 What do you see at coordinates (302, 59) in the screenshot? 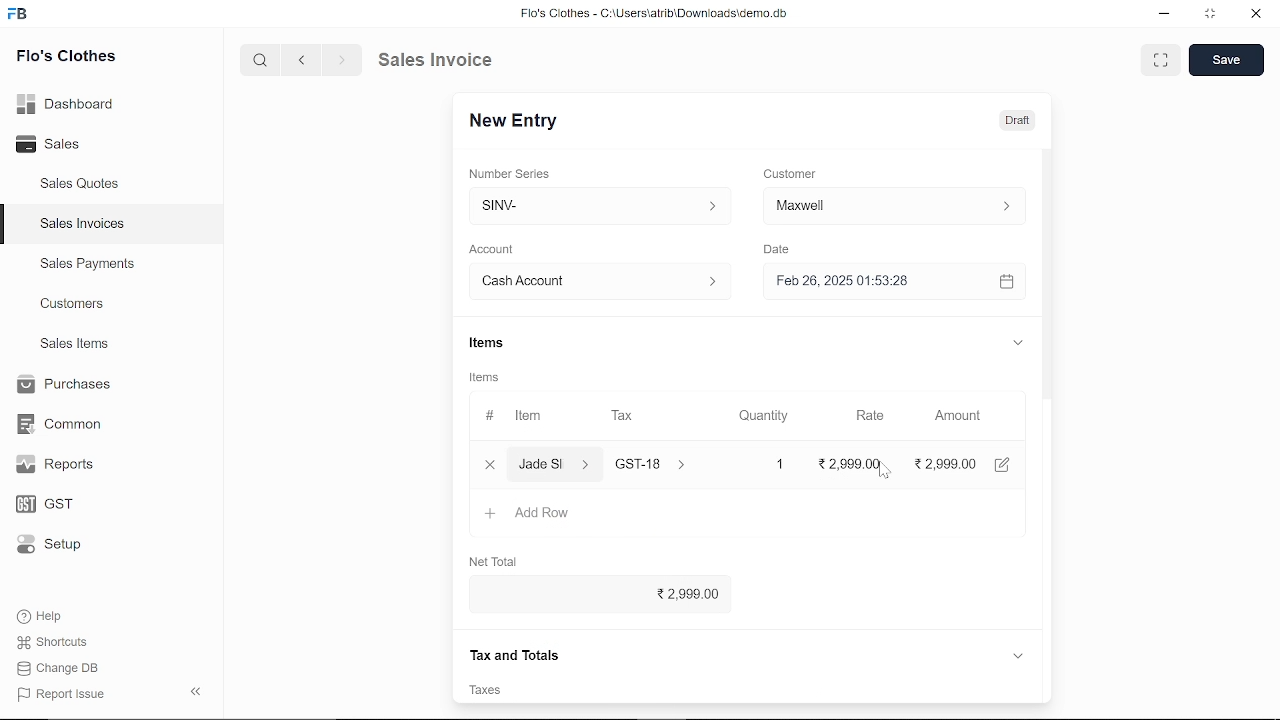
I see `previous` at bounding box center [302, 59].